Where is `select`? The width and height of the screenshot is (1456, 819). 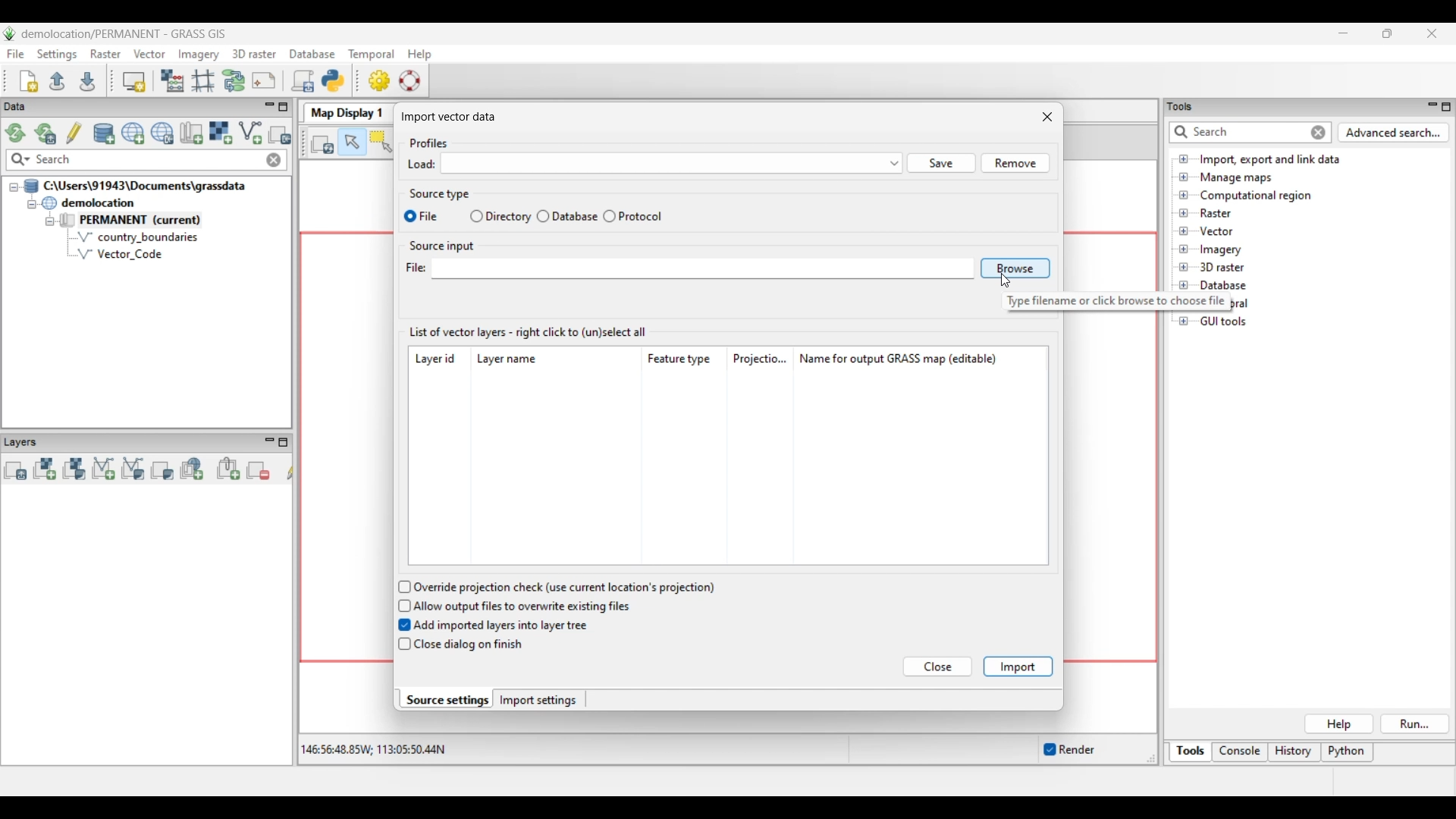
select is located at coordinates (406, 215).